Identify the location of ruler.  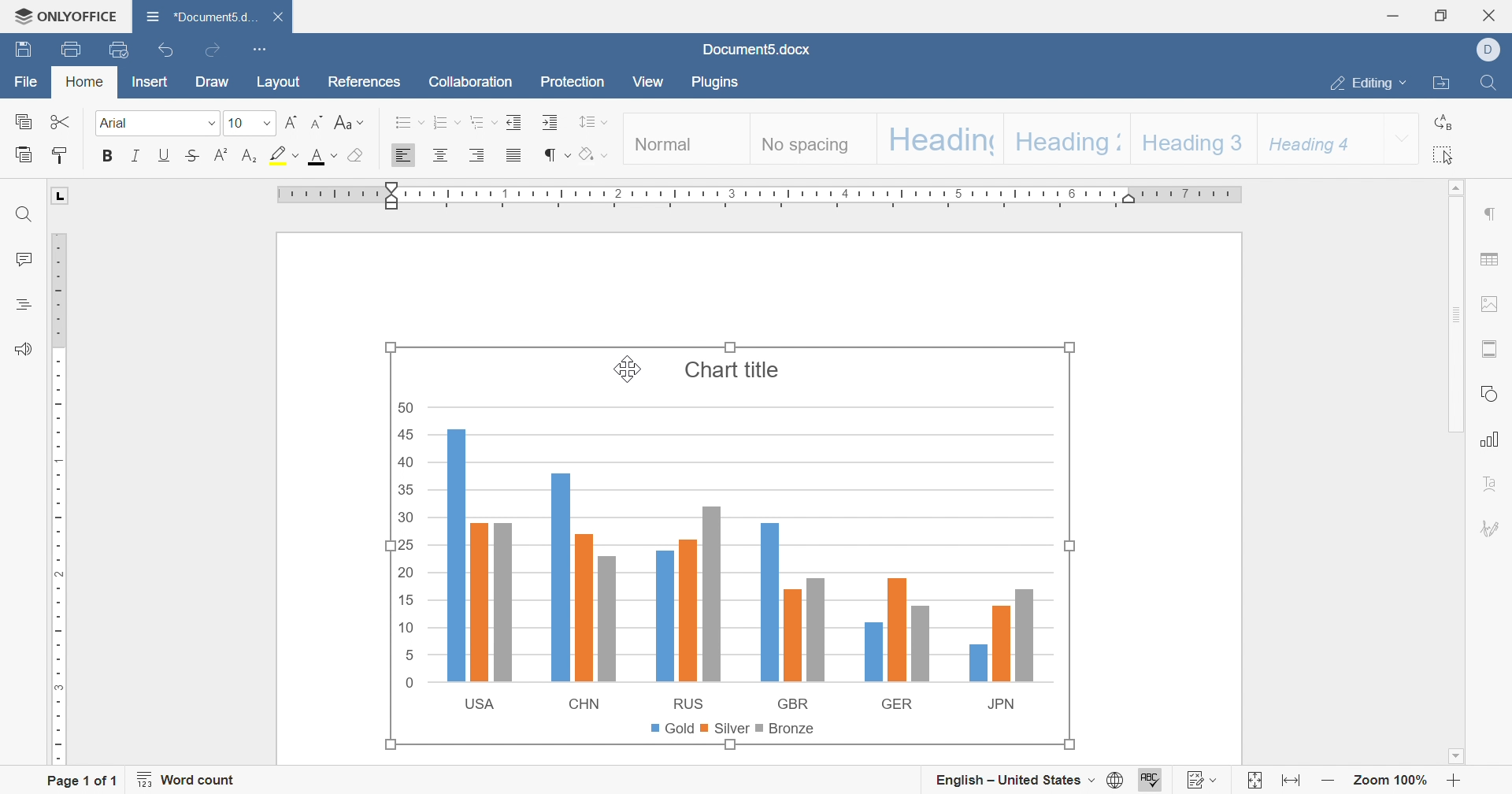
(56, 499).